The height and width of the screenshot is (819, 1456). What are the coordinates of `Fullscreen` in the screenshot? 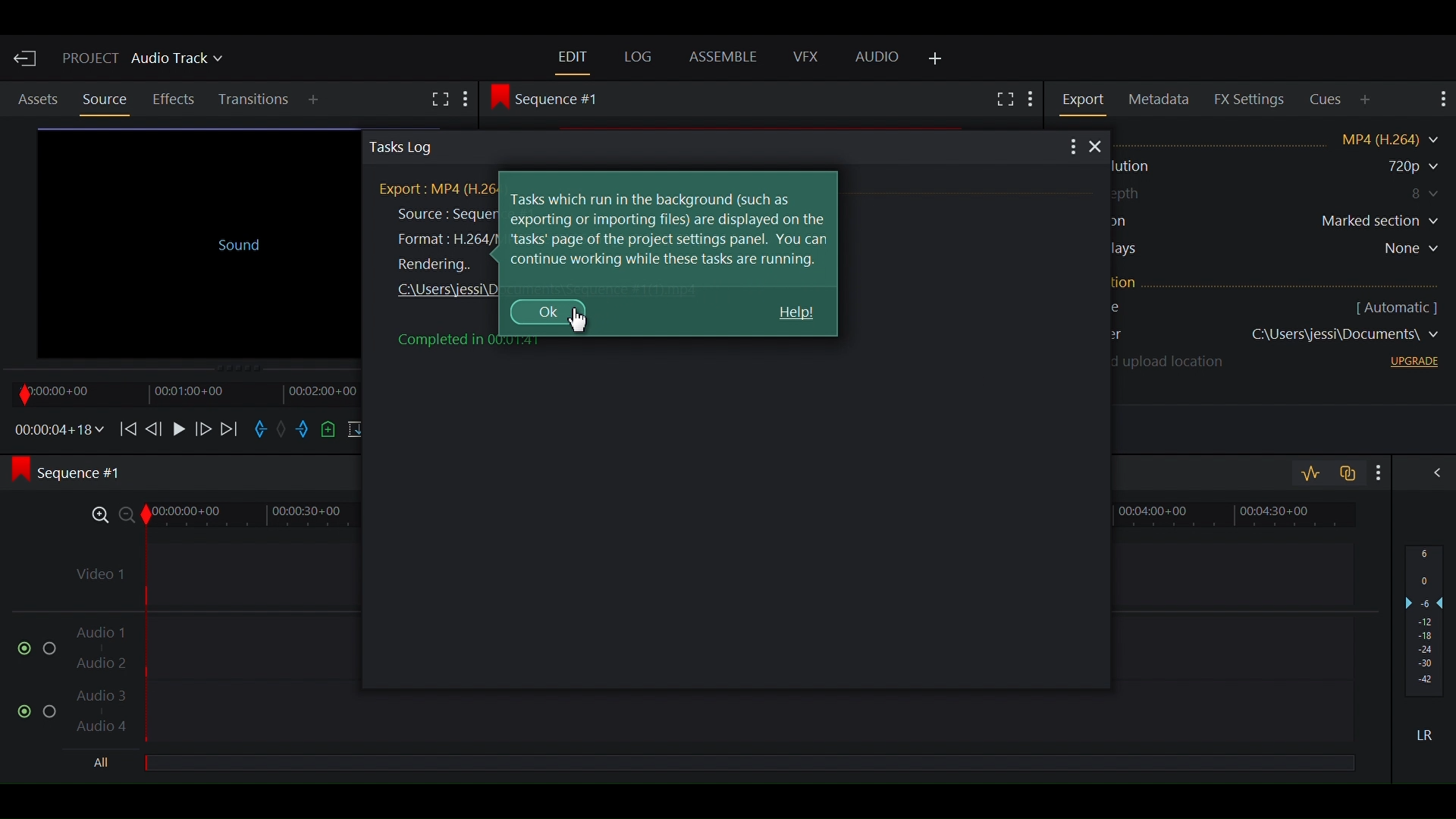 It's located at (440, 101).